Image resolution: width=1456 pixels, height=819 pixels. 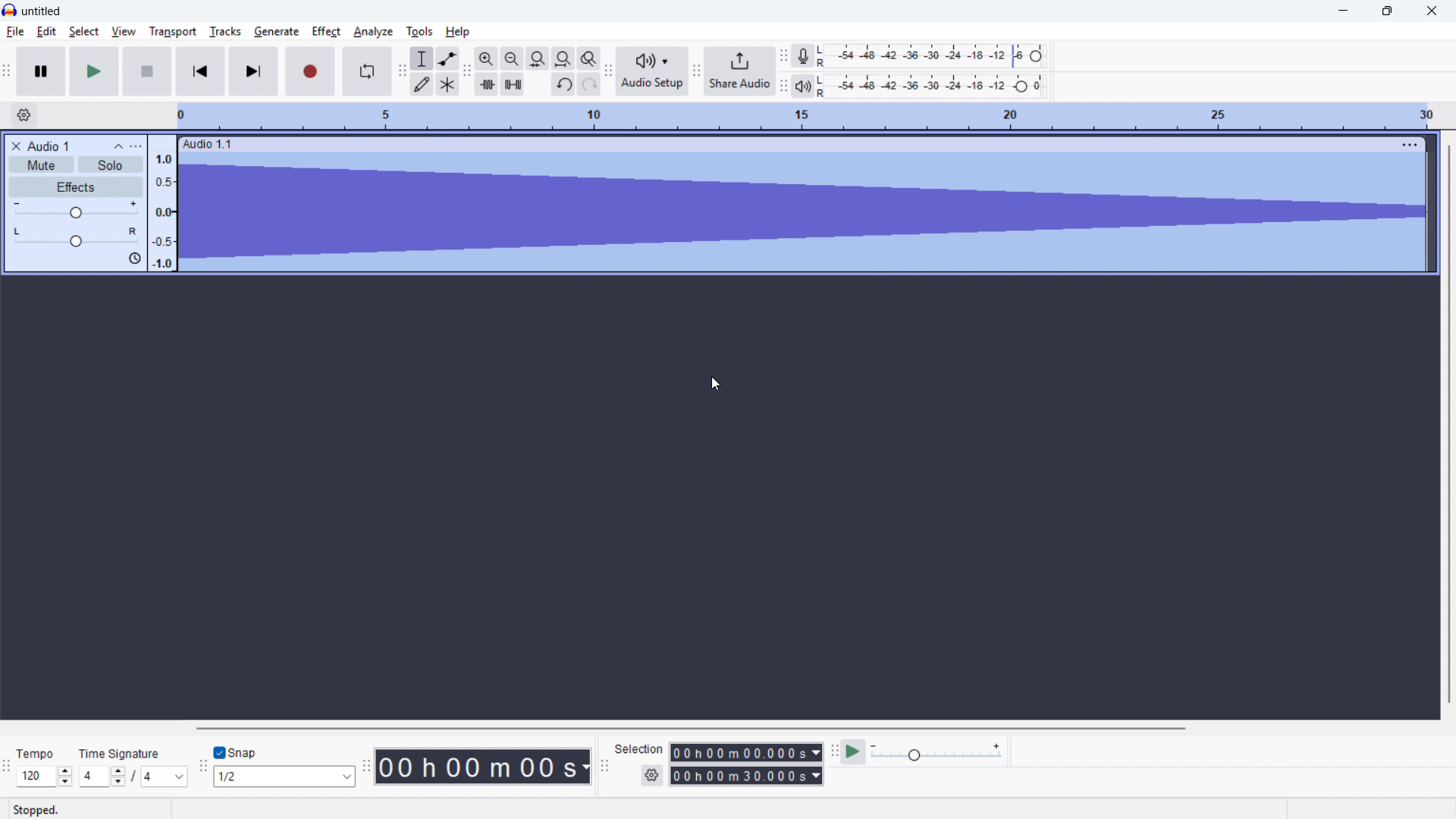 I want to click on tempo, so click(x=38, y=754).